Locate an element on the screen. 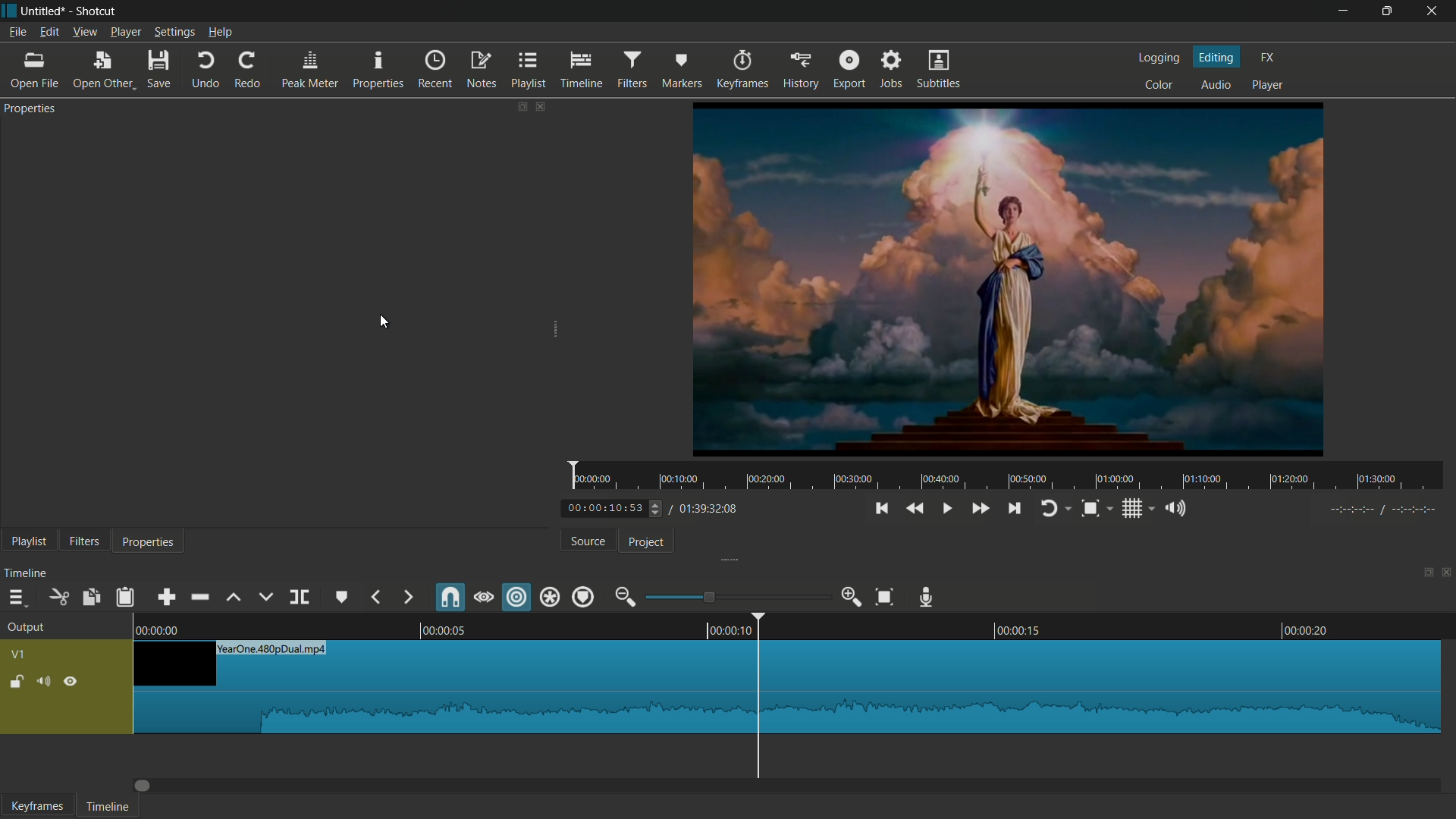  skip to the previous point is located at coordinates (880, 508).